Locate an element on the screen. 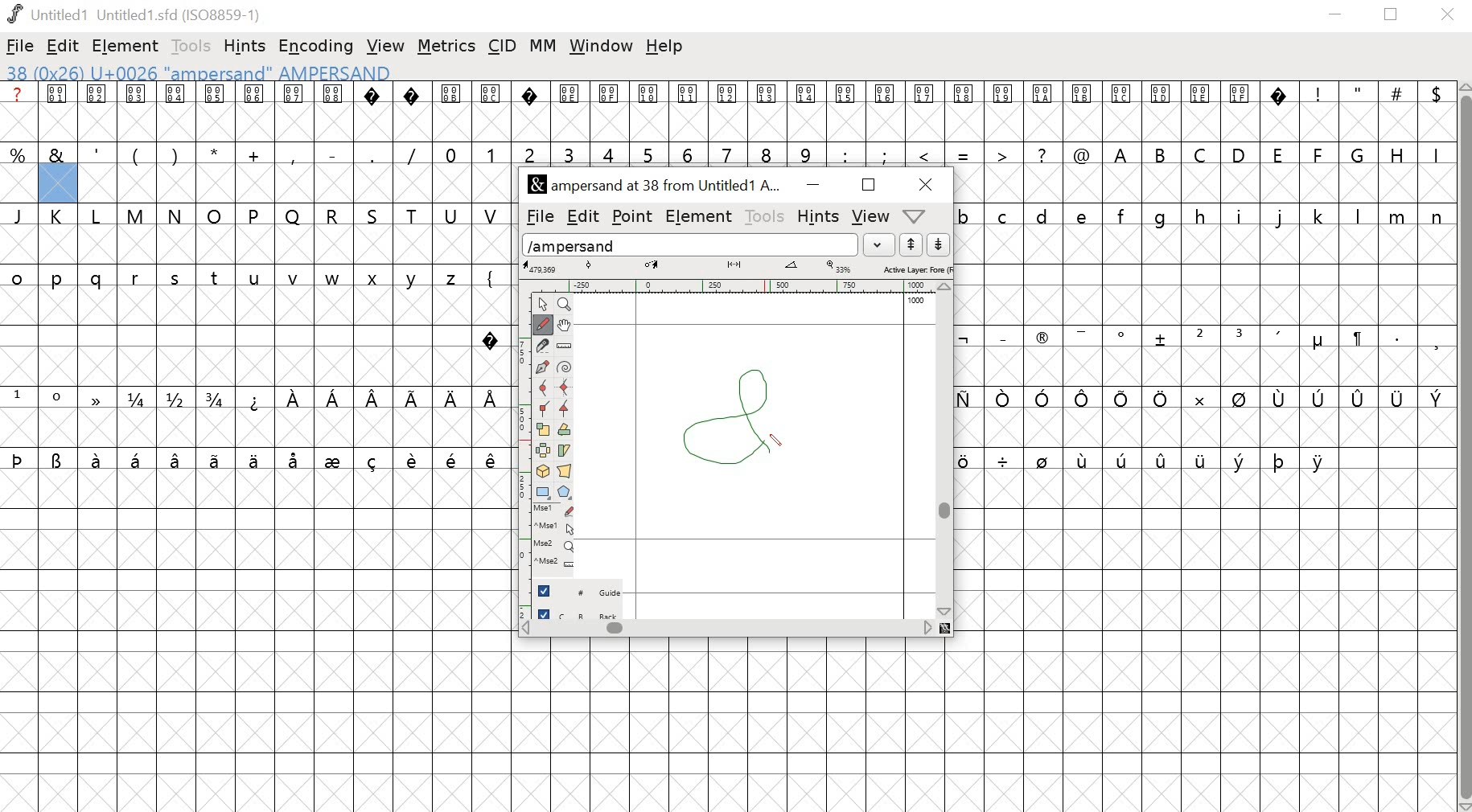  distance between points is located at coordinates (735, 266).